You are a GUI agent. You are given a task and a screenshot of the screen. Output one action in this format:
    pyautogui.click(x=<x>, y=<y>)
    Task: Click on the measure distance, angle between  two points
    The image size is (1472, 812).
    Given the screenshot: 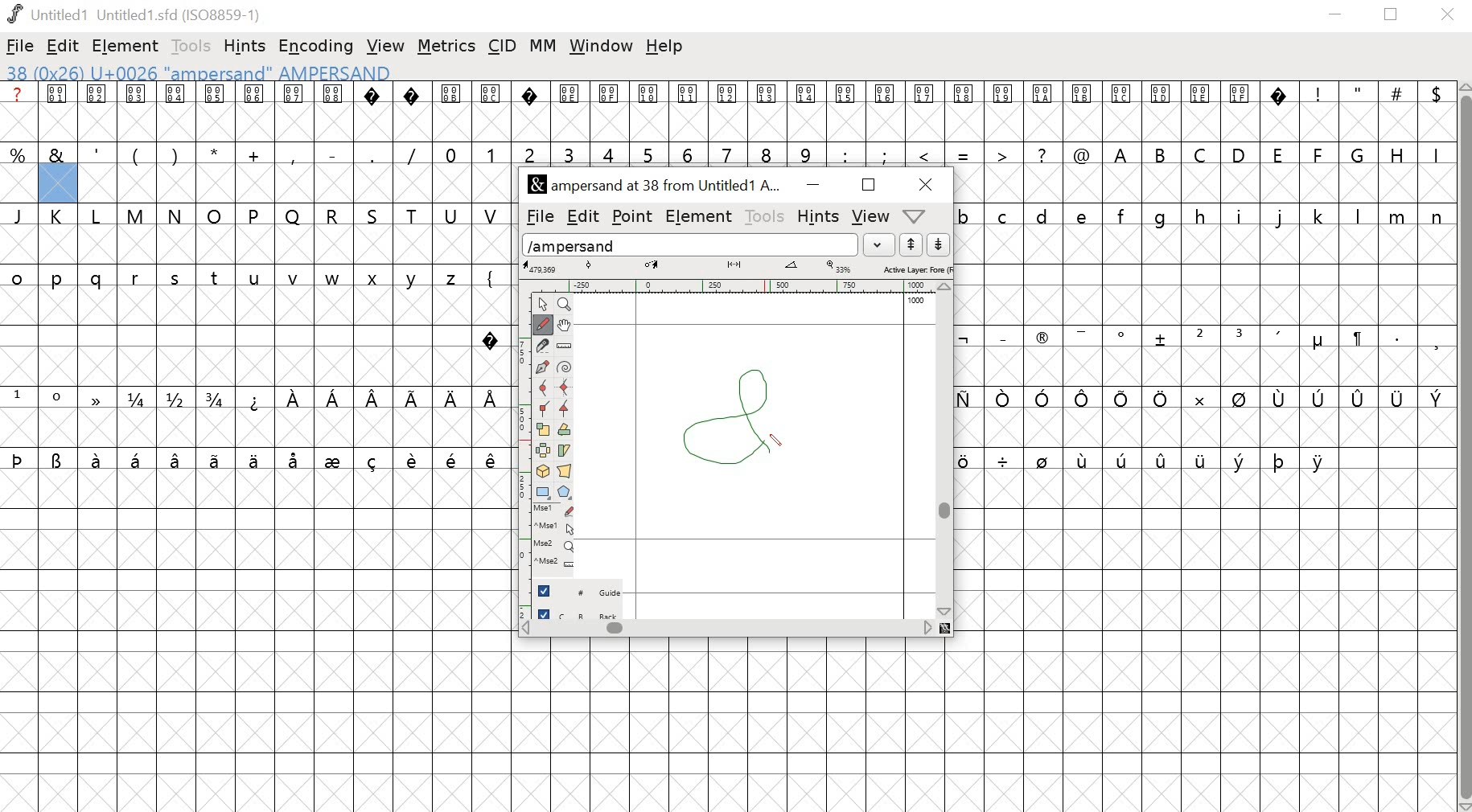 What is the action you would take?
    pyautogui.click(x=565, y=347)
    